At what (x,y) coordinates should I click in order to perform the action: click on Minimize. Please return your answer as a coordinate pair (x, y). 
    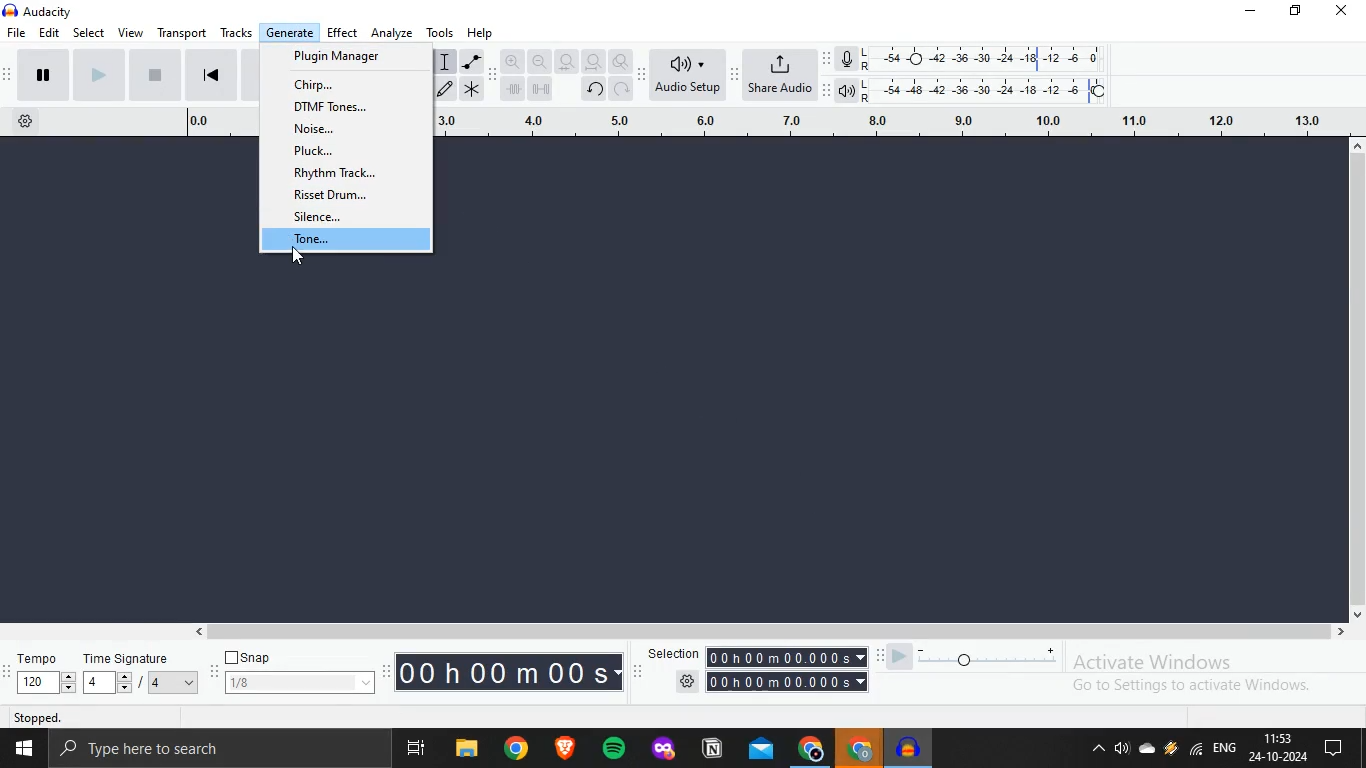
    Looking at the image, I should click on (1255, 12).